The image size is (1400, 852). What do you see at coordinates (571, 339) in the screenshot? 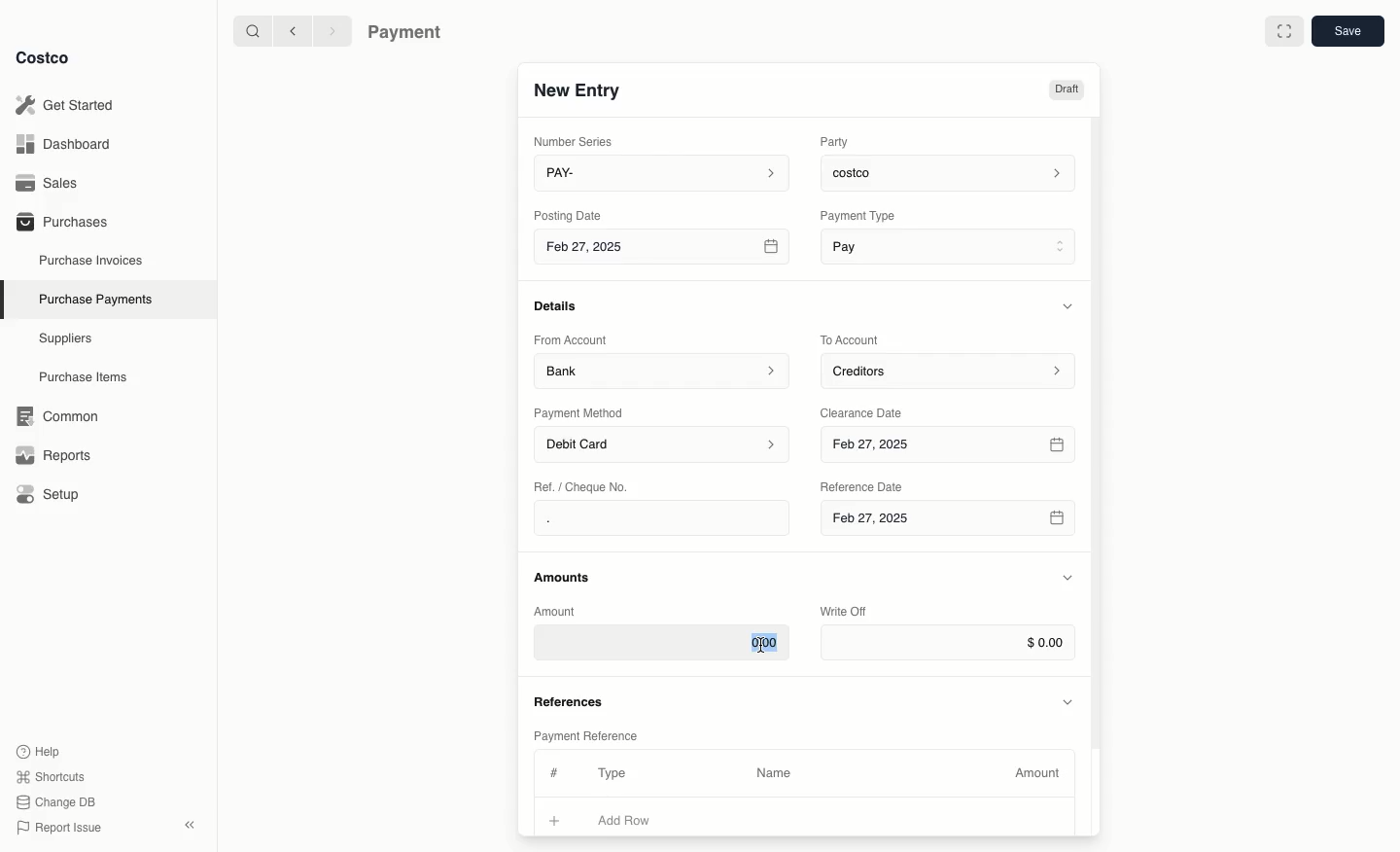
I see `From Account` at bounding box center [571, 339].